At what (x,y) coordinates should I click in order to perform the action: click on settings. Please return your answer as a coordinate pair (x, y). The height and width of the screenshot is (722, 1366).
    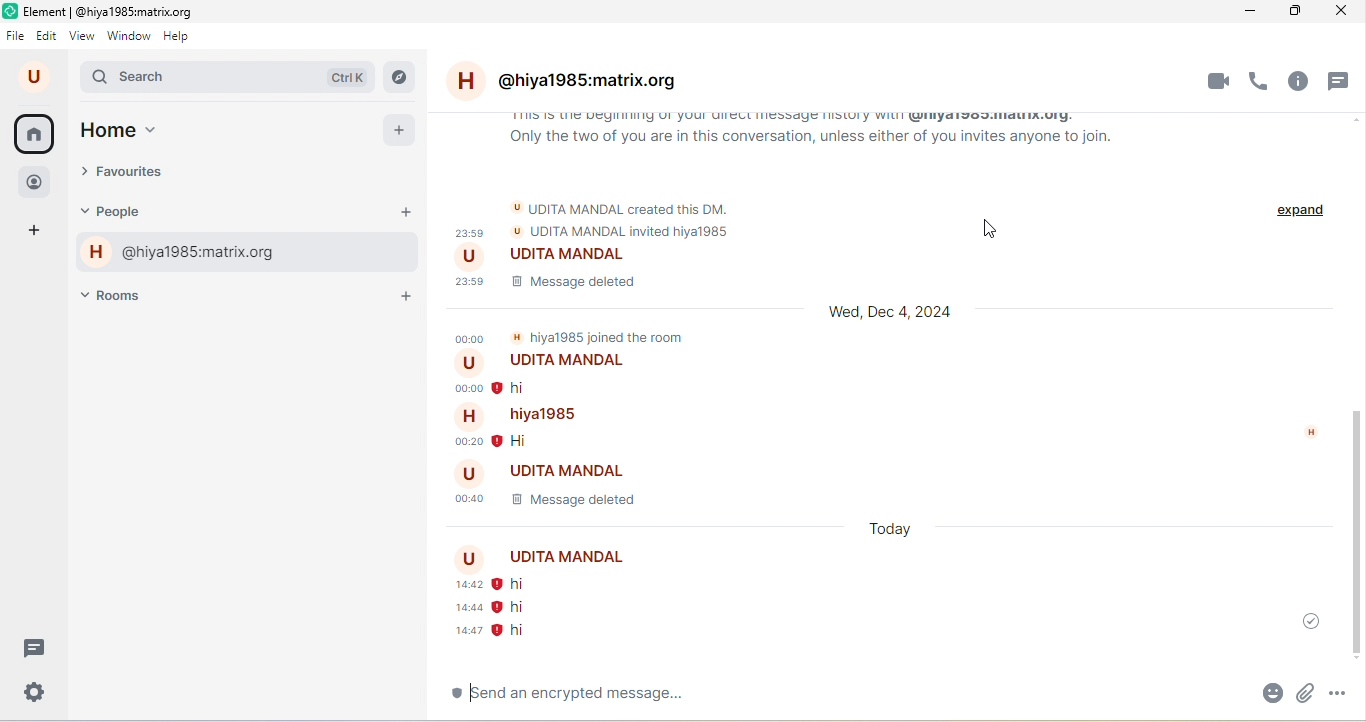
    Looking at the image, I should click on (36, 691).